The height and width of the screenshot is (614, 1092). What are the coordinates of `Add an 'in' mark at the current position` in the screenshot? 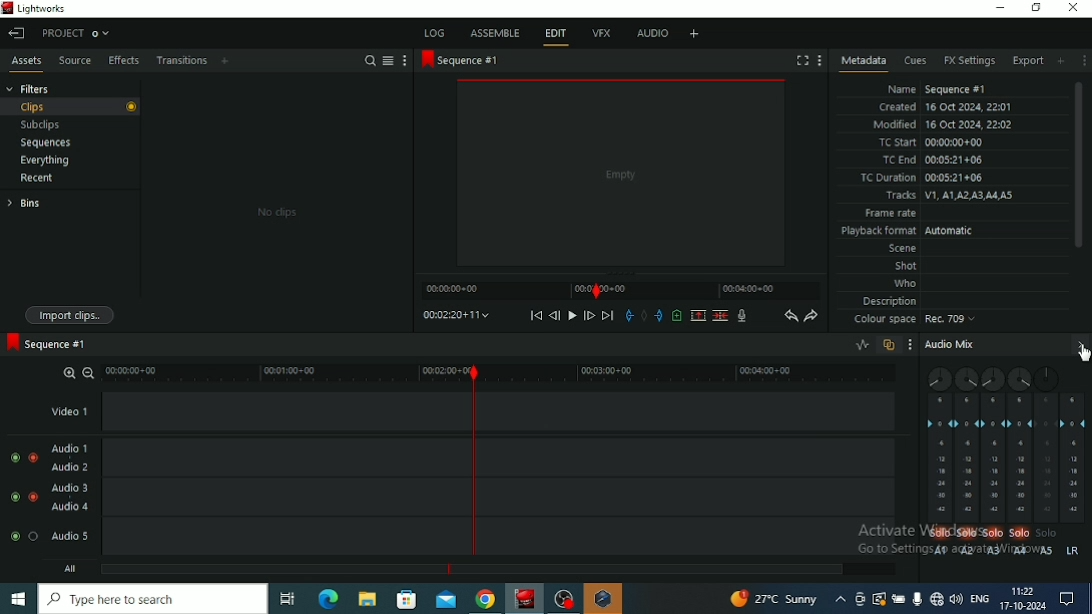 It's located at (628, 316).